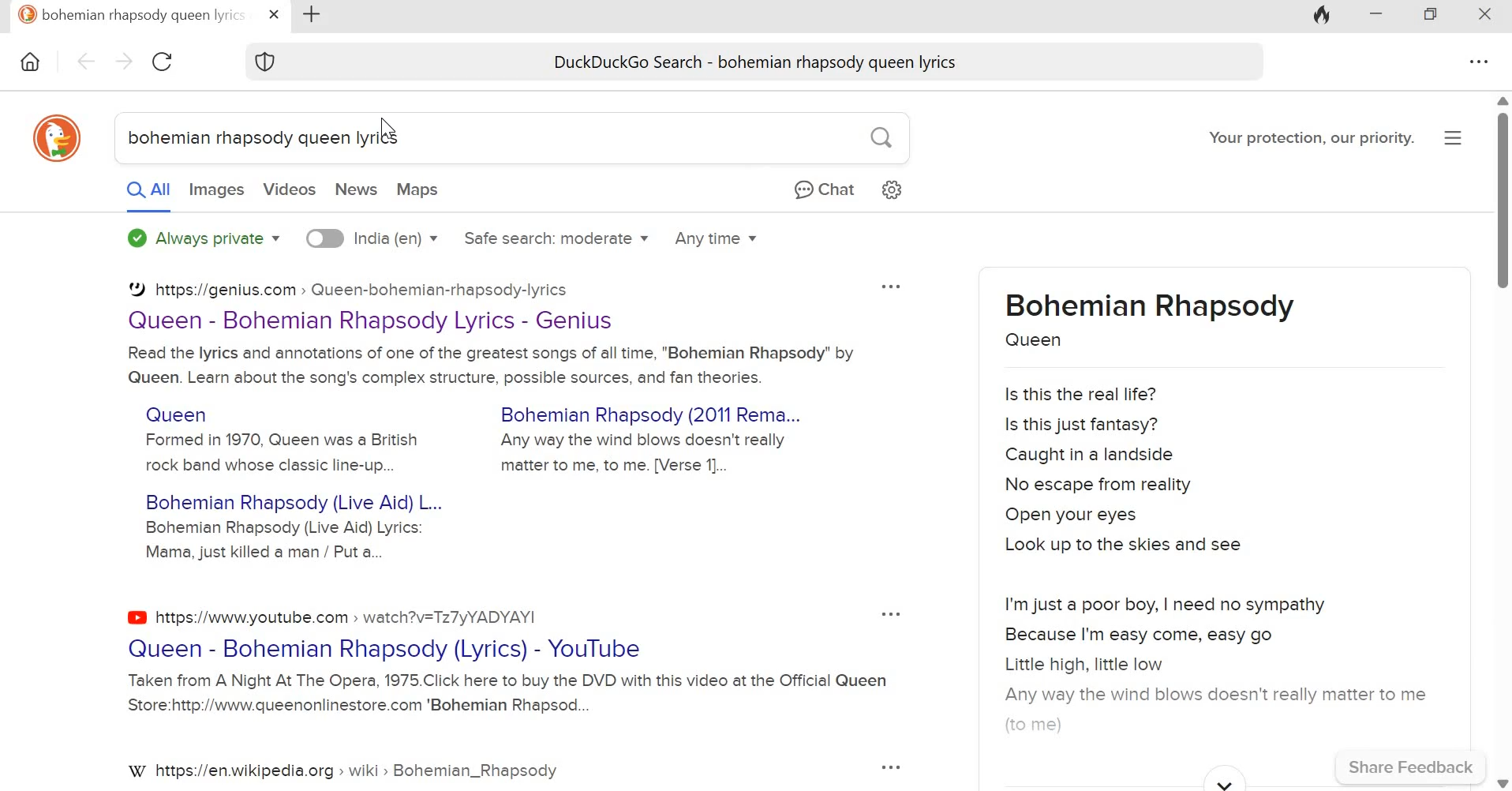 This screenshot has height=791, width=1512. I want to click on Videos, so click(290, 190).